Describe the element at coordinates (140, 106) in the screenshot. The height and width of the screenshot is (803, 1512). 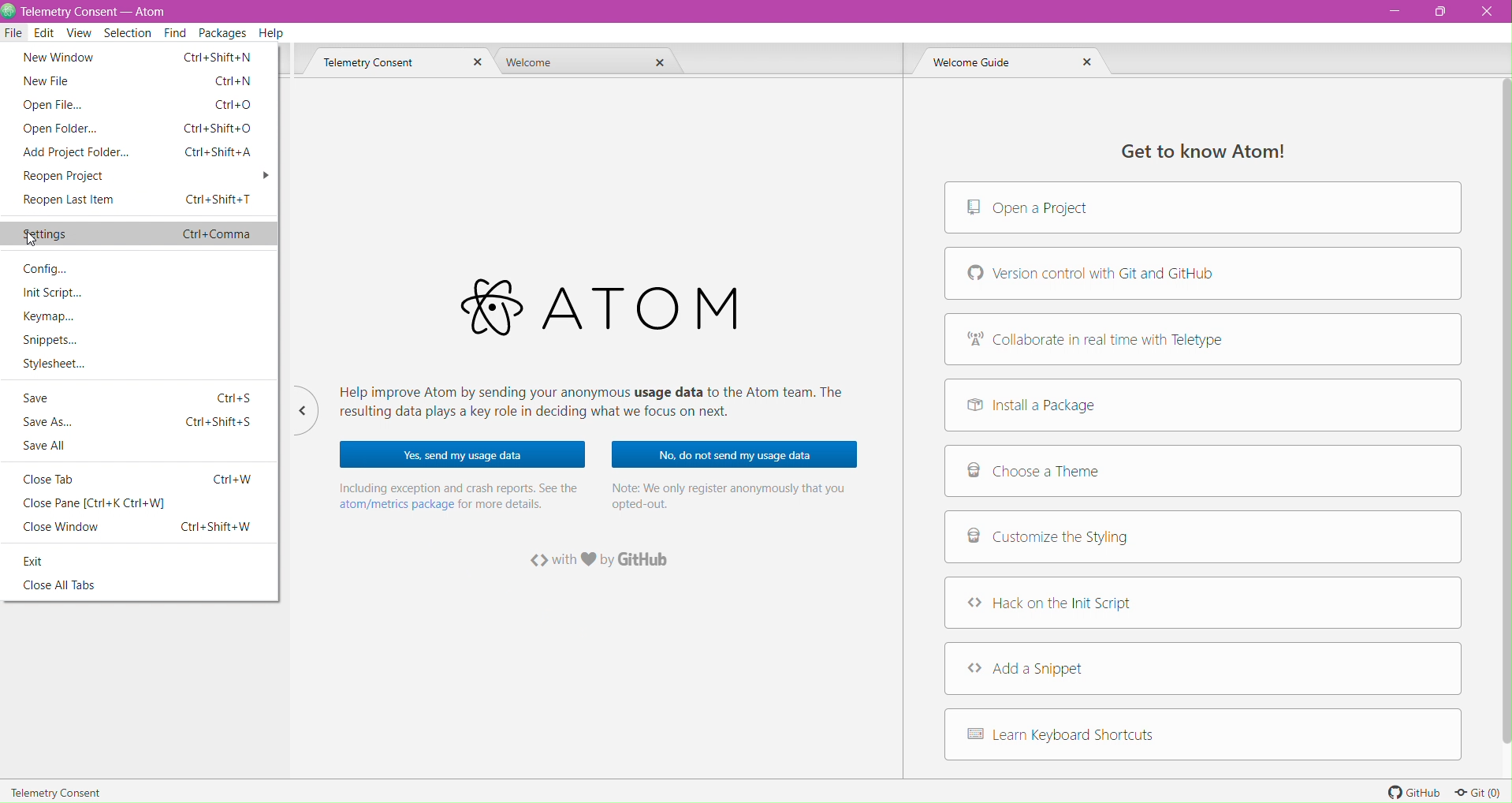
I see `Open File` at that location.